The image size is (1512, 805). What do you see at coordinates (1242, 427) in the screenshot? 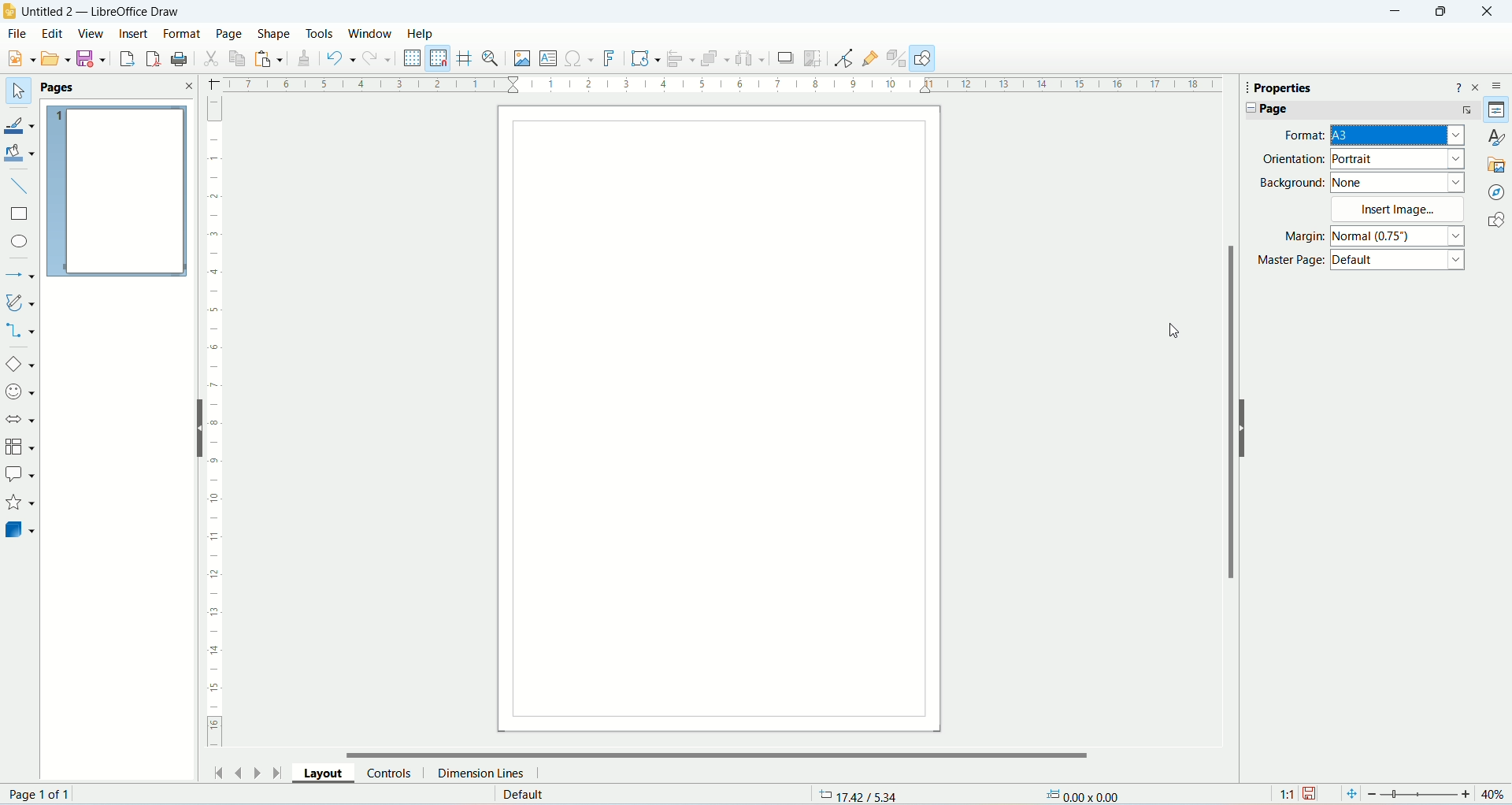
I see `hide` at bounding box center [1242, 427].